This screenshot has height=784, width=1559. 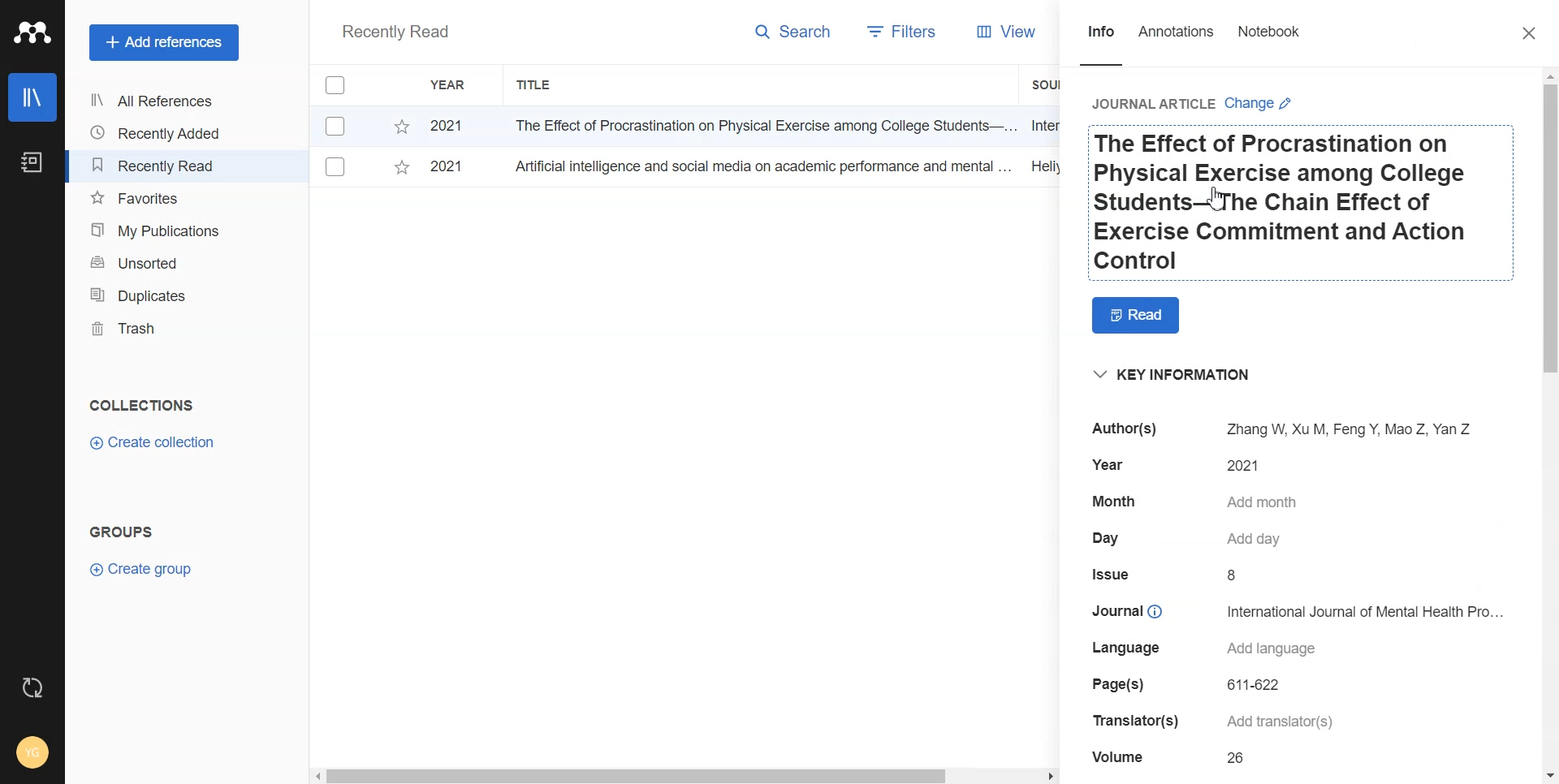 I want to click on 2021, so click(x=447, y=127).